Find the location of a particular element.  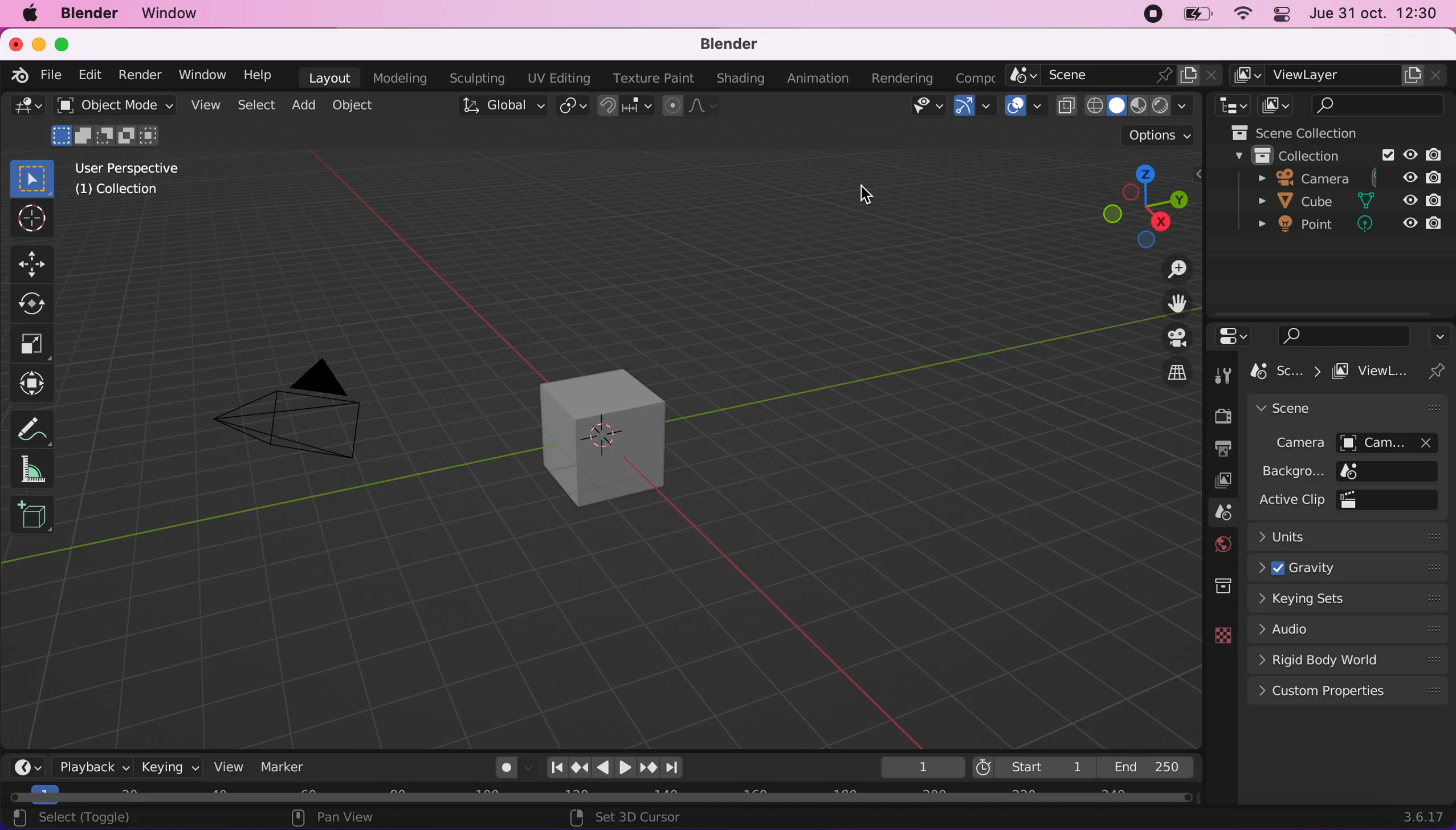

rotate is located at coordinates (34, 303).